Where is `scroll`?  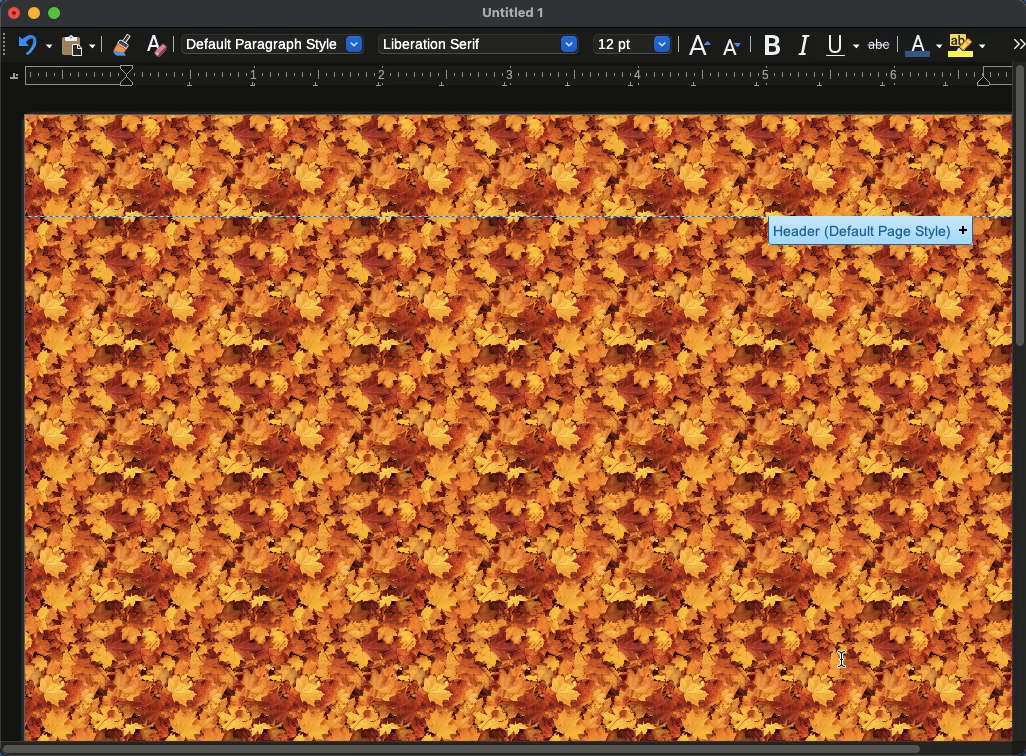
scroll is located at coordinates (1021, 410).